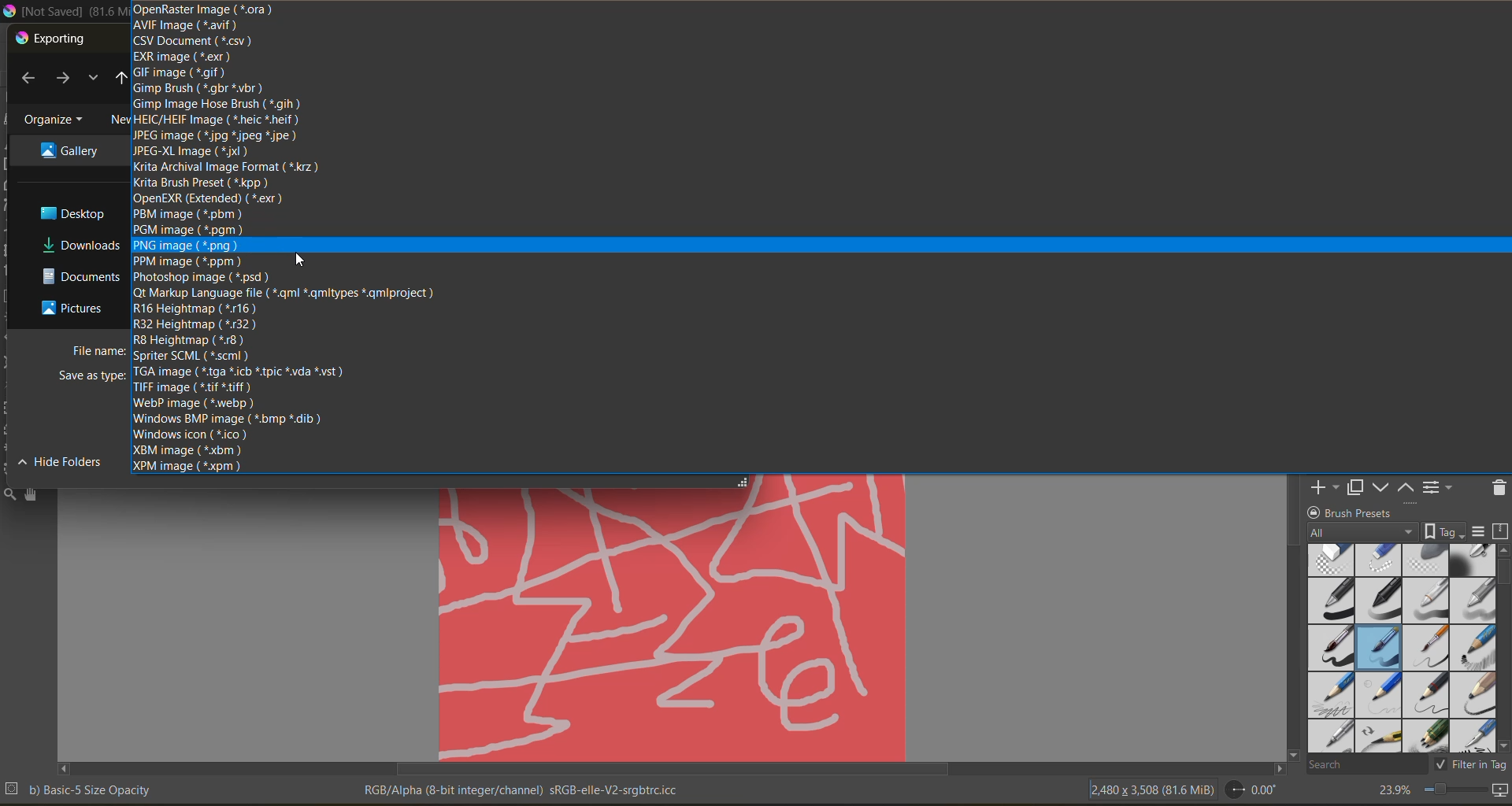  I want to click on recent locations, so click(92, 78).